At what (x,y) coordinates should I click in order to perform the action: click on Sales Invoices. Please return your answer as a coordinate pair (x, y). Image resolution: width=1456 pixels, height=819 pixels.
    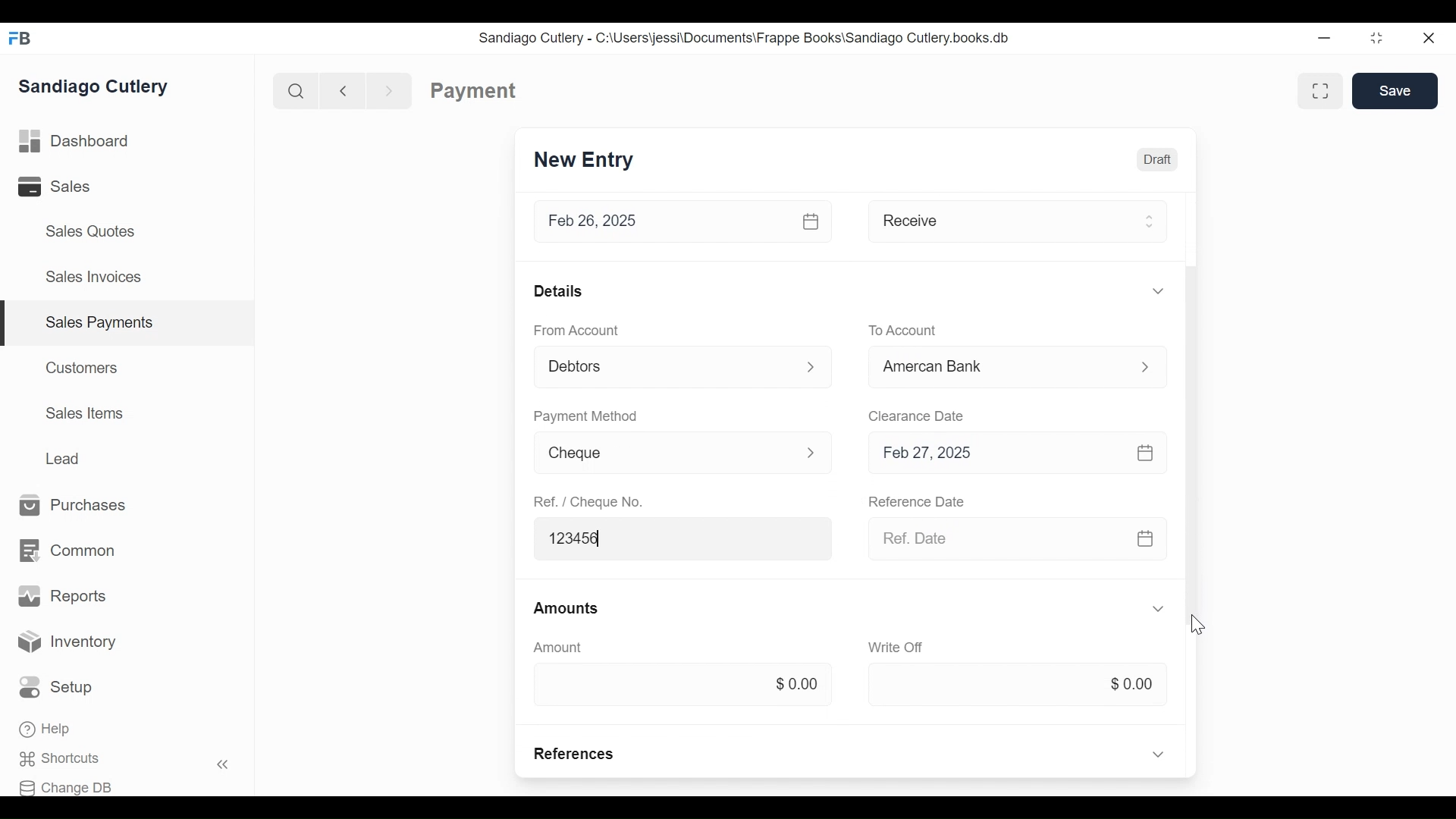
    Looking at the image, I should click on (93, 278).